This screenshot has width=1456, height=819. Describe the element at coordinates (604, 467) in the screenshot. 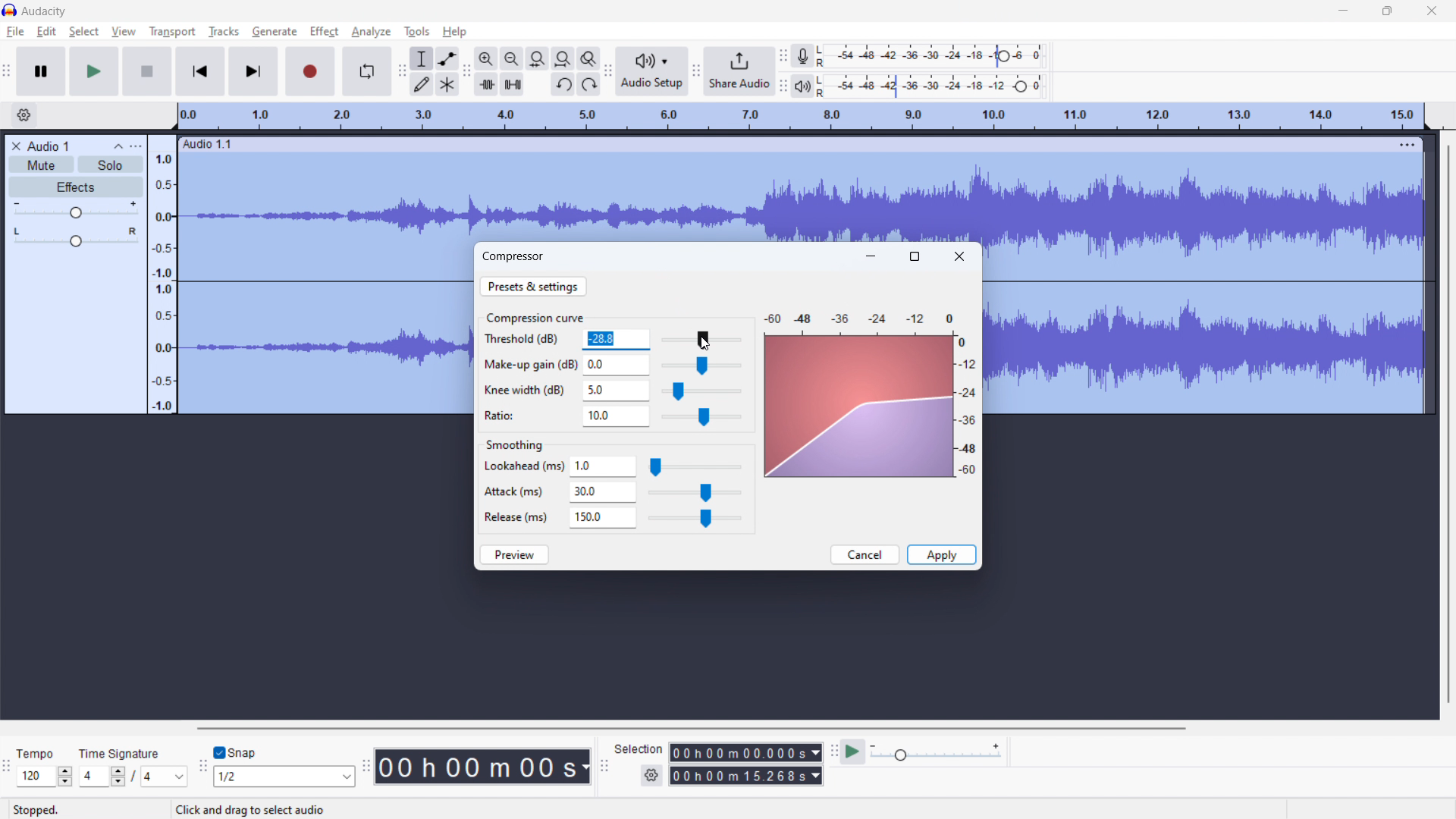

I see `1.0` at that location.